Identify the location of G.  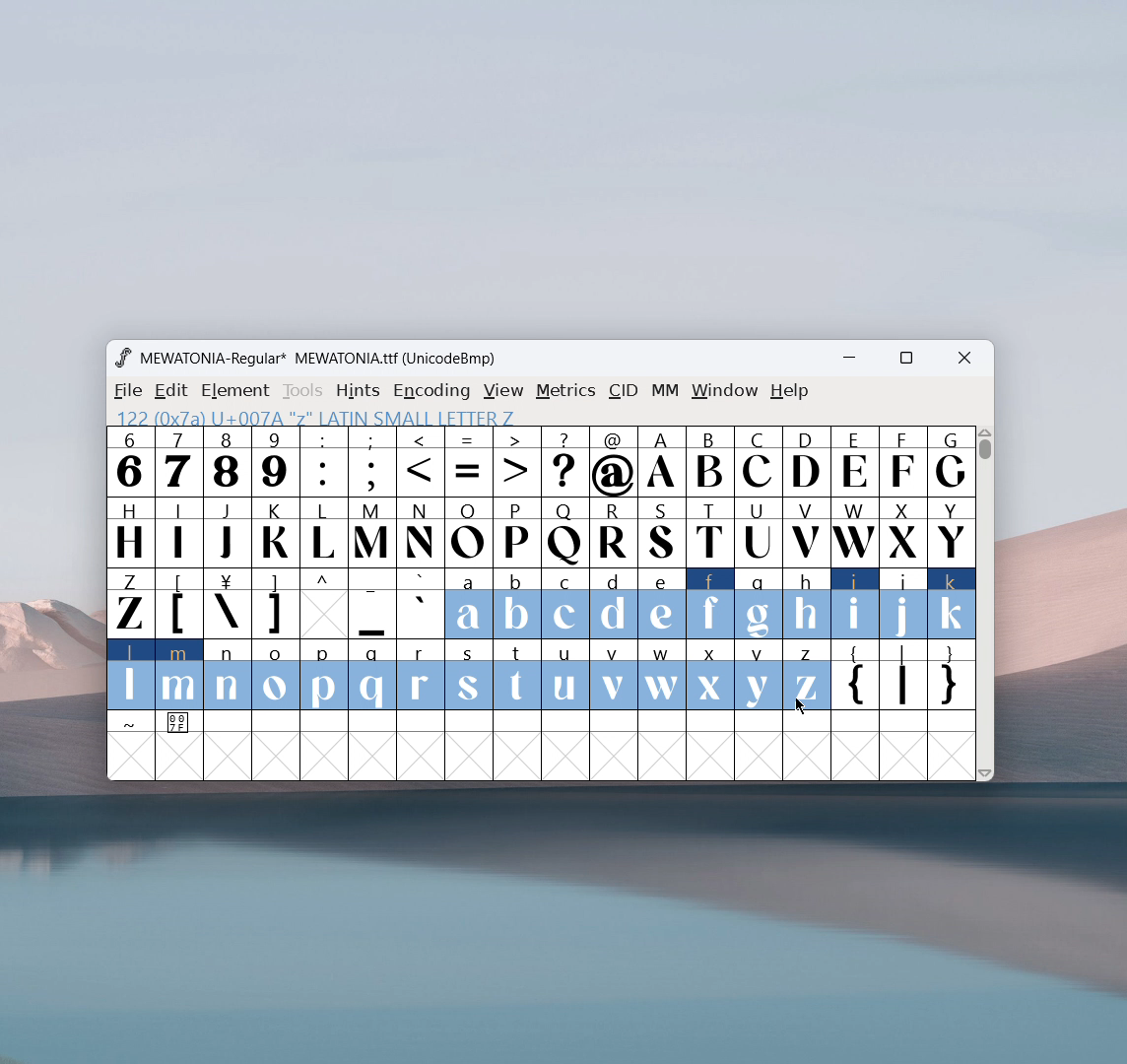
(951, 461).